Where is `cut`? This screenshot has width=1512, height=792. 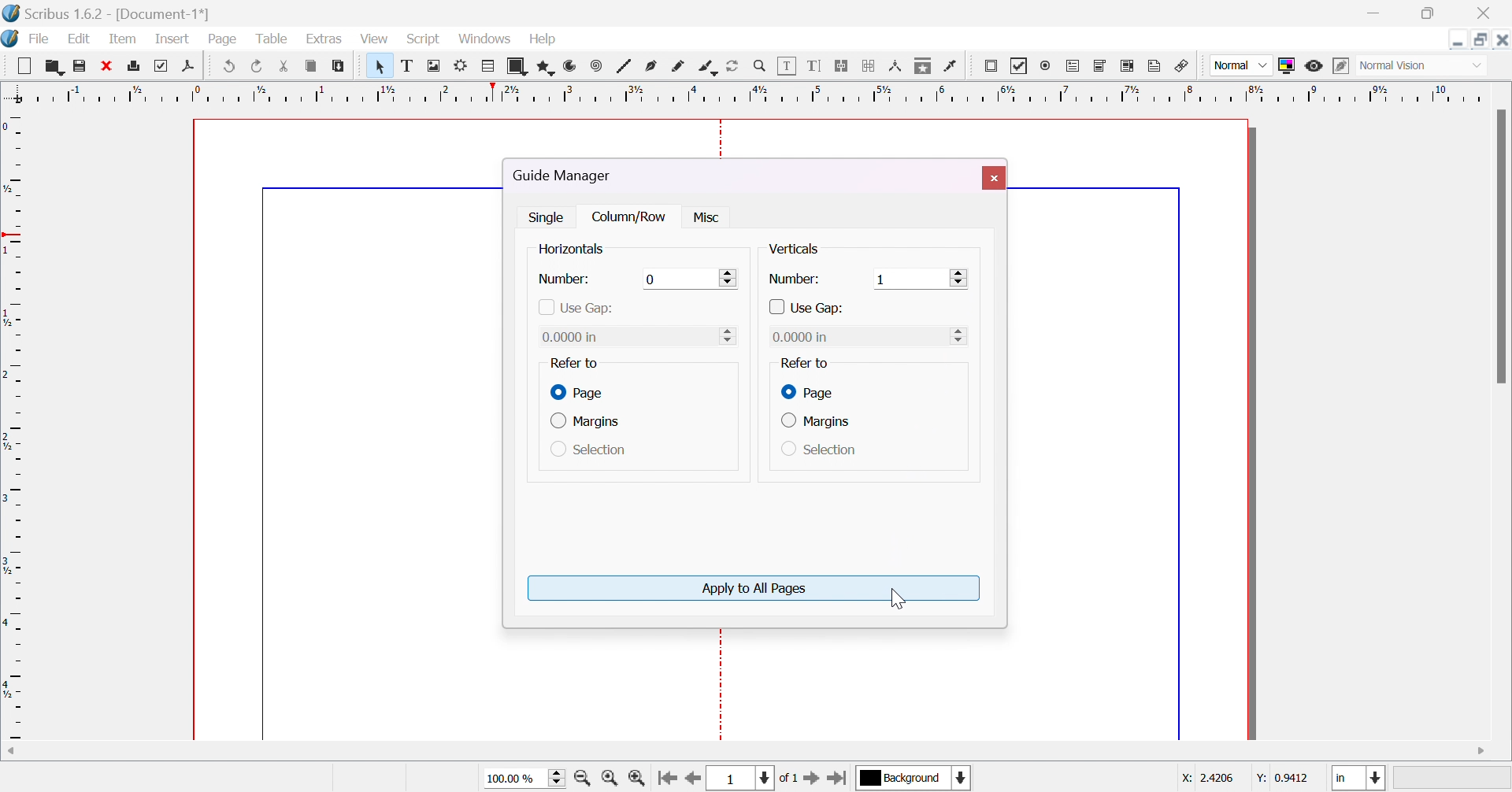
cut is located at coordinates (283, 65).